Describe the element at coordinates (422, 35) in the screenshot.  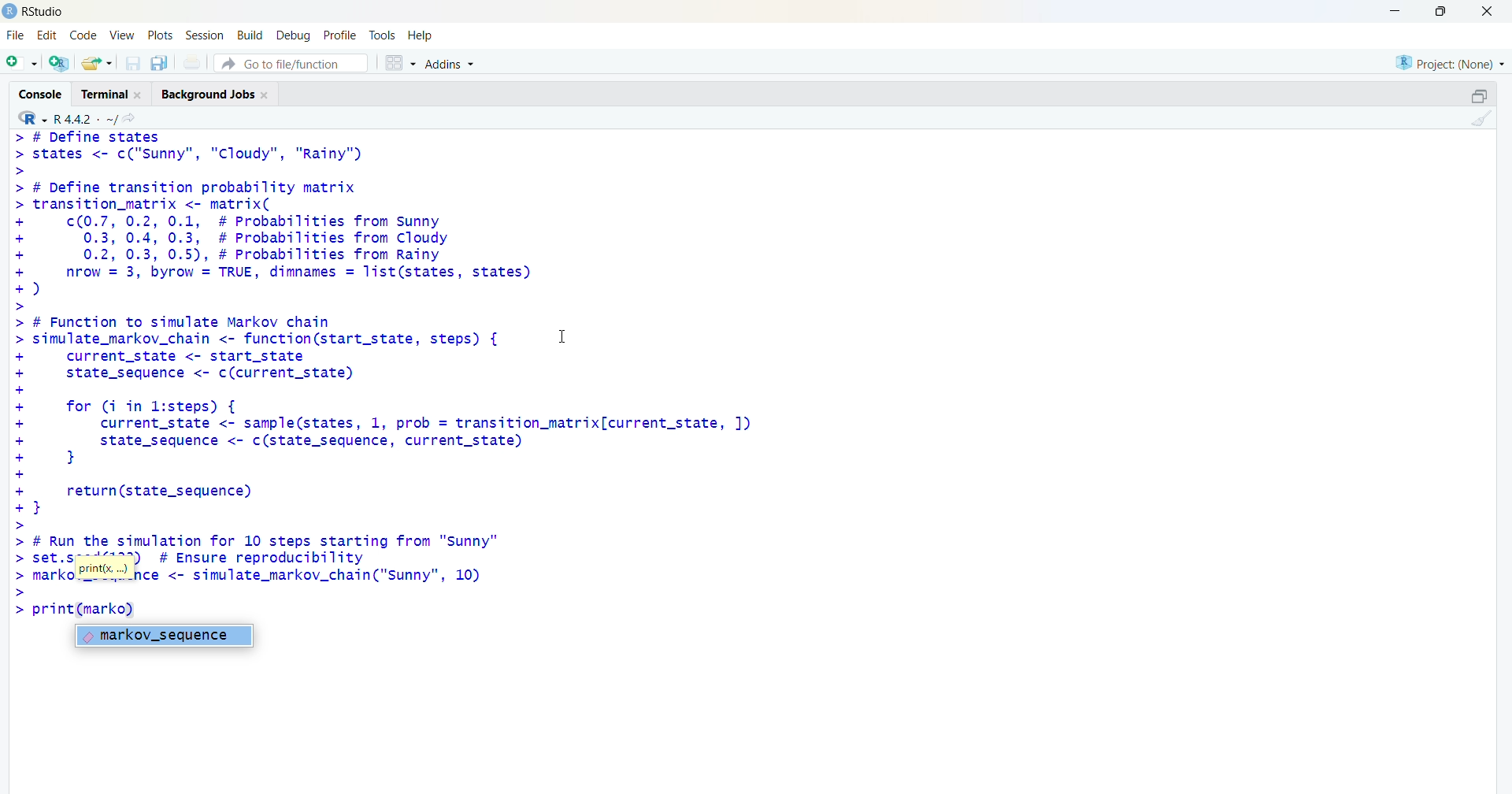
I see `help` at that location.